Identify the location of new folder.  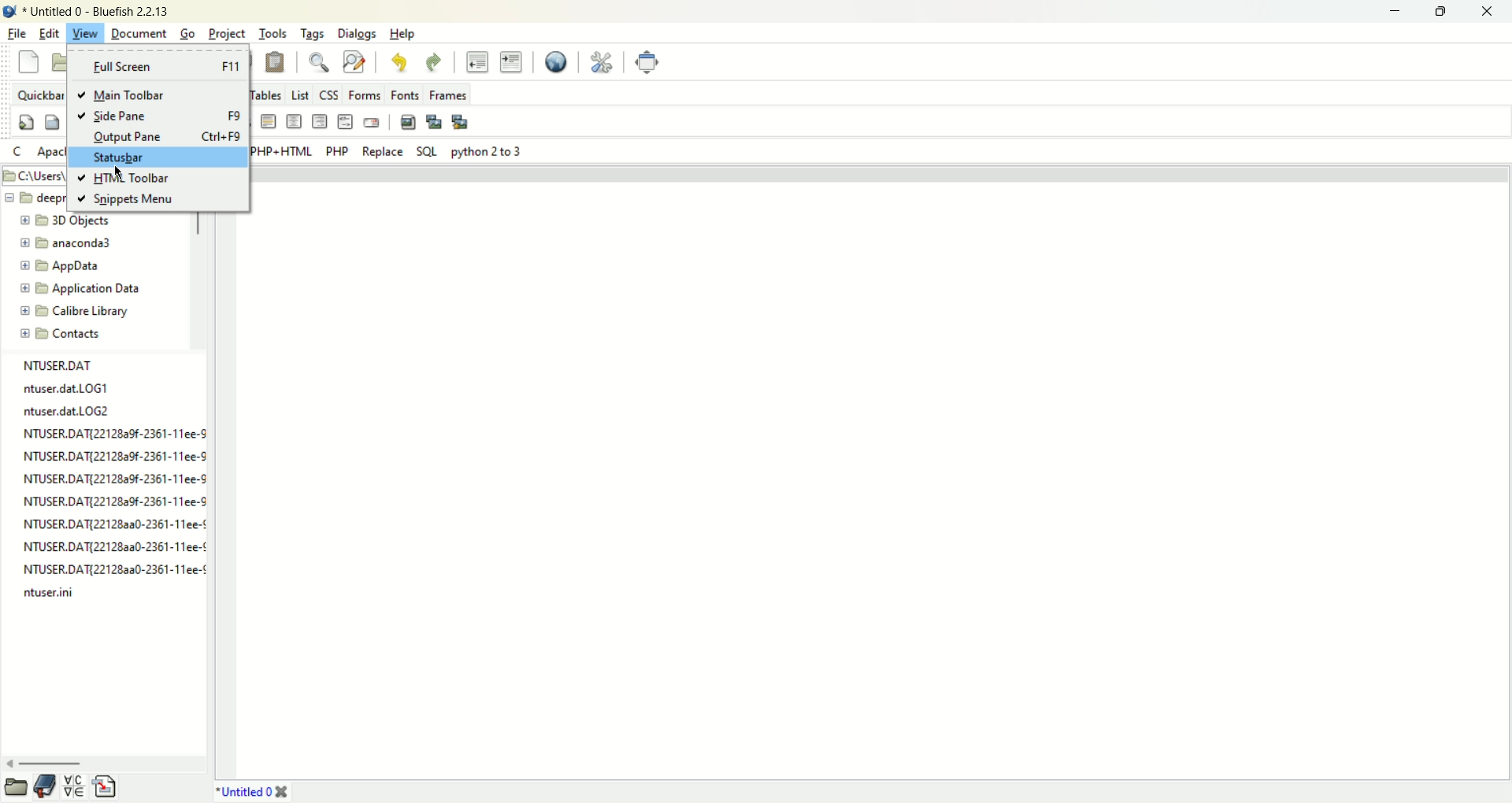
(69, 264).